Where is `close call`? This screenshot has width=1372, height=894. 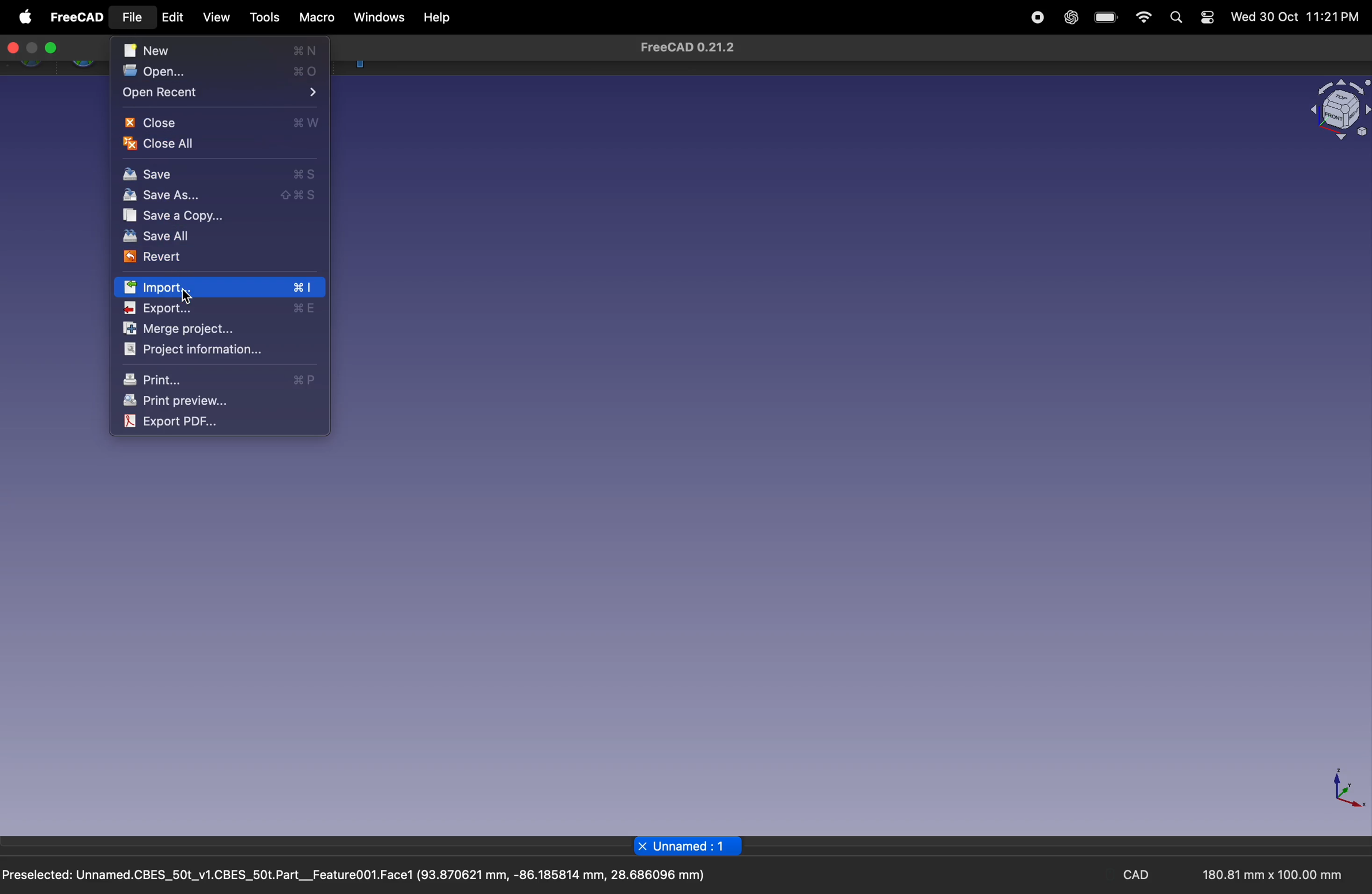
close call is located at coordinates (183, 143).